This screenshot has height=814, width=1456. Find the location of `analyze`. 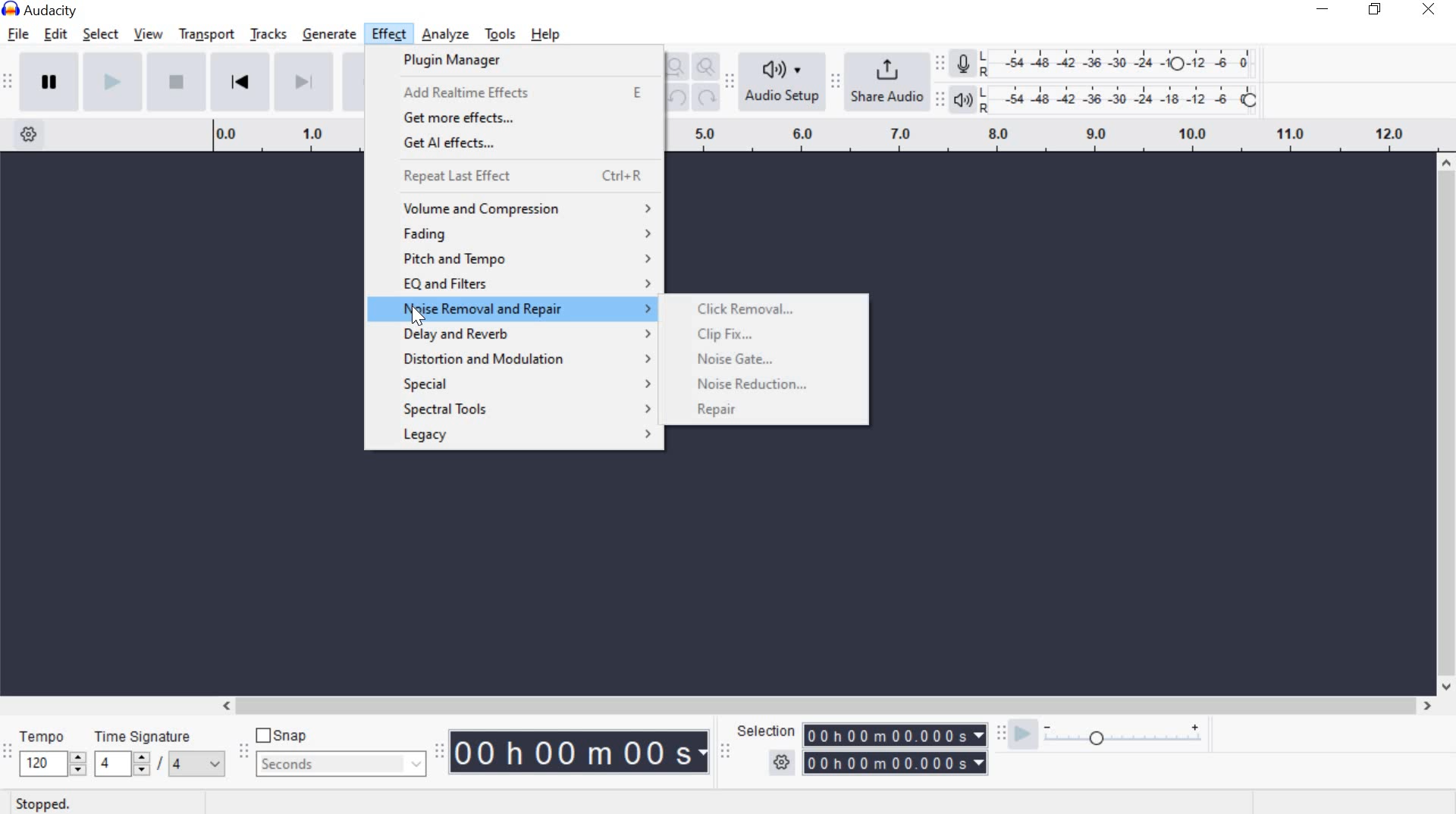

analyze is located at coordinates (447, 34).